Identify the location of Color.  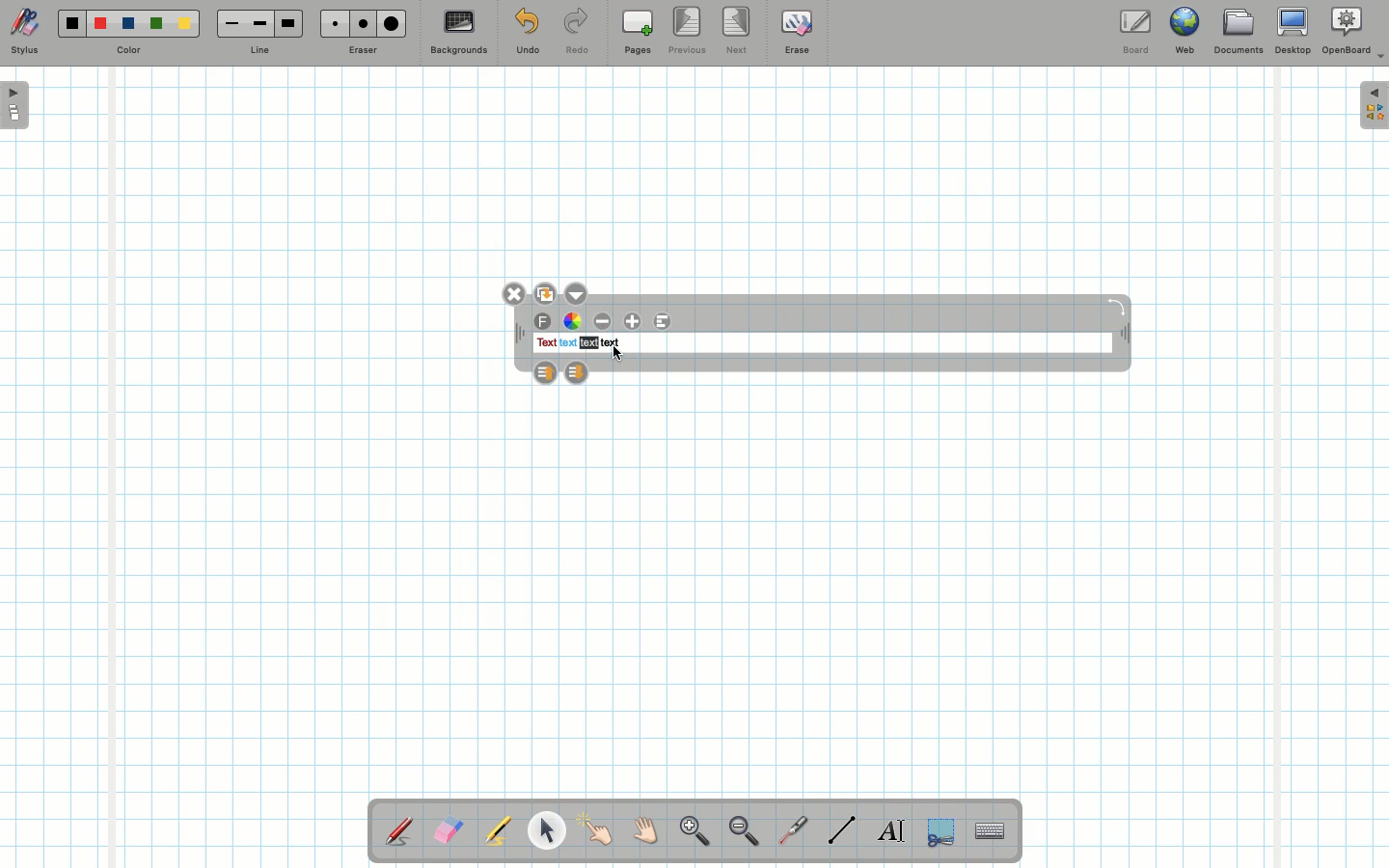
(126, 51).